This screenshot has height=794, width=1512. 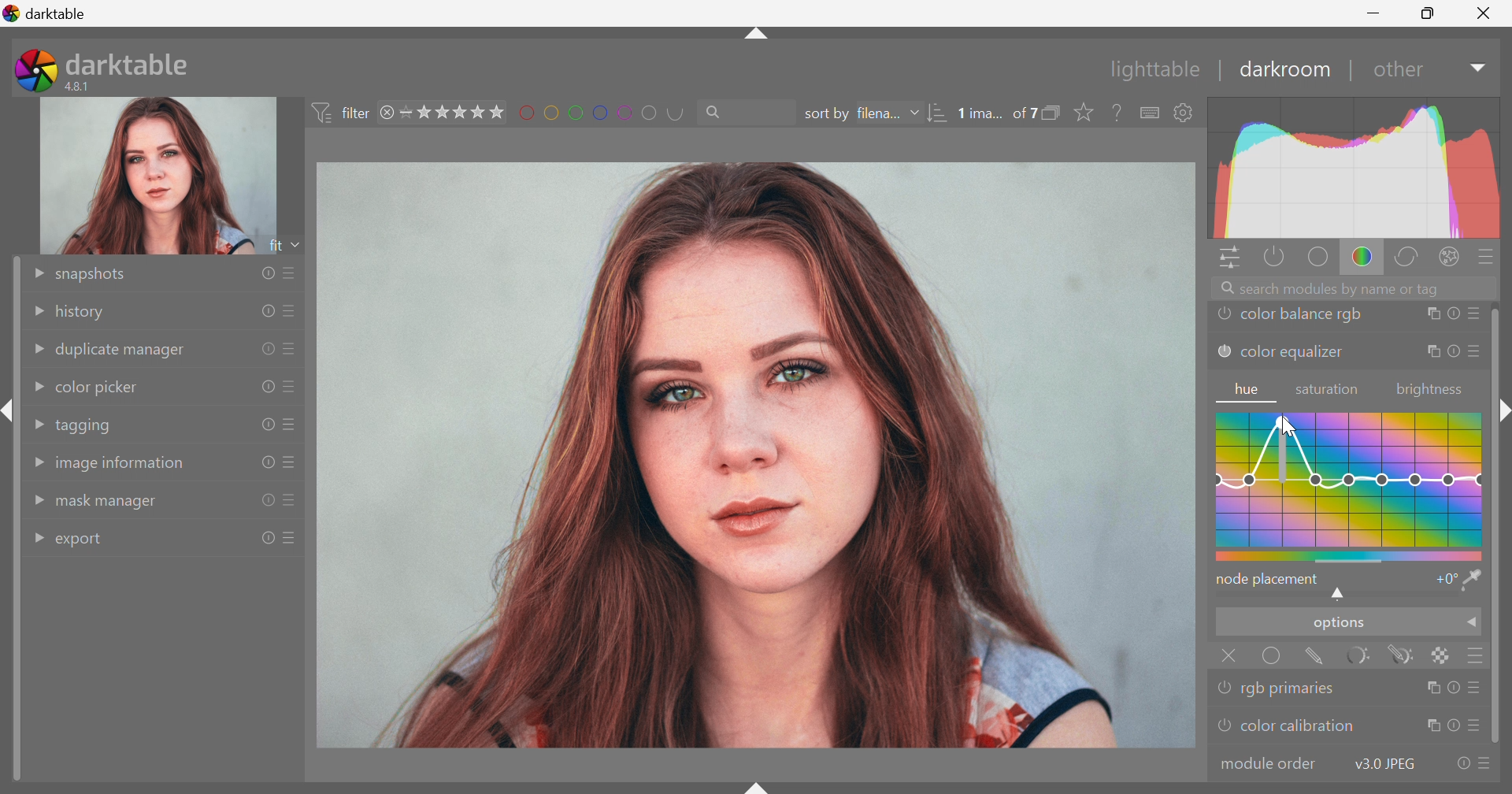 I want to click on multiple instance actions, so click(x=1429, y=688).